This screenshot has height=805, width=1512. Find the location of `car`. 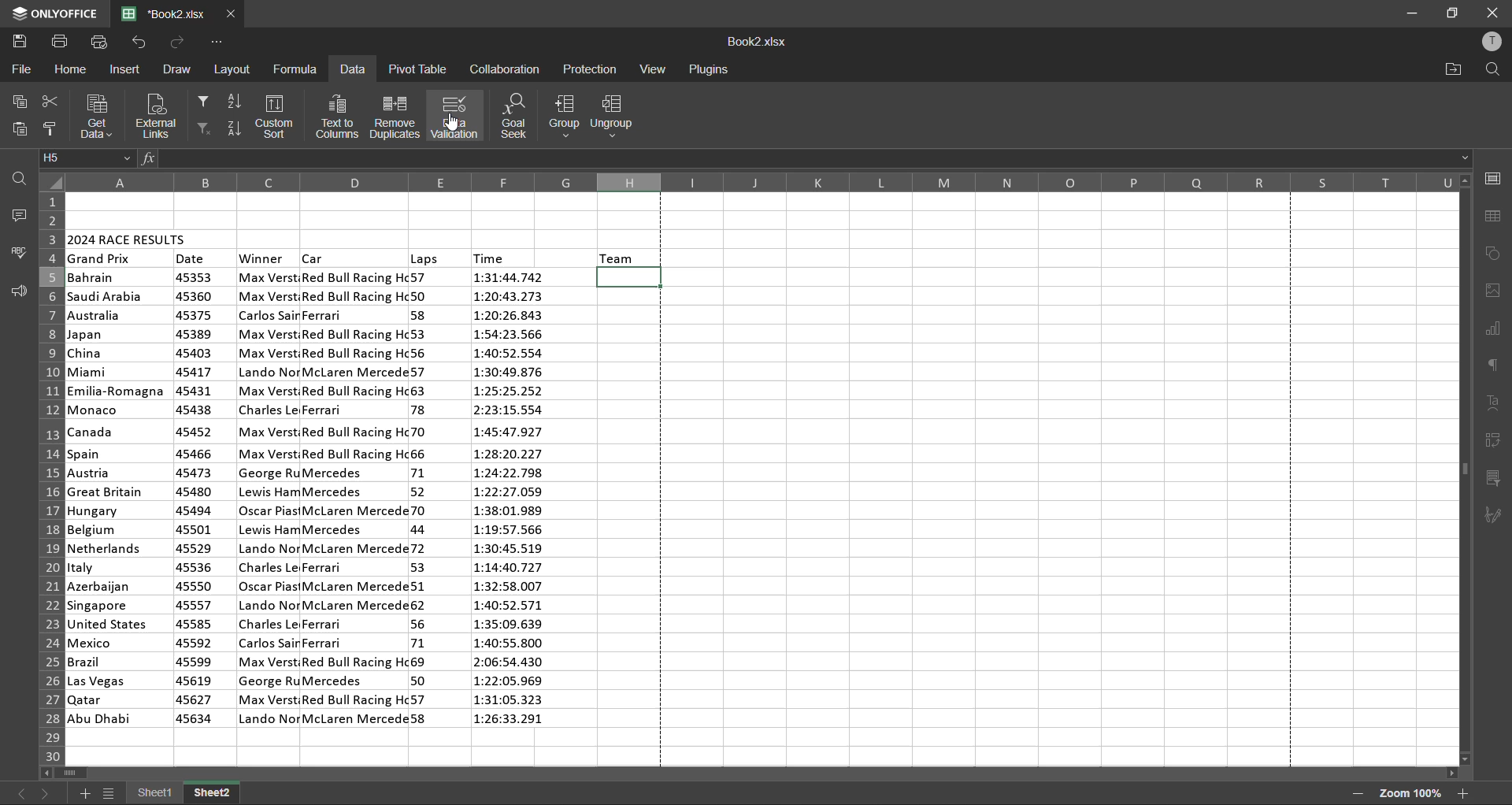

car is located at coordinates (354, 497).